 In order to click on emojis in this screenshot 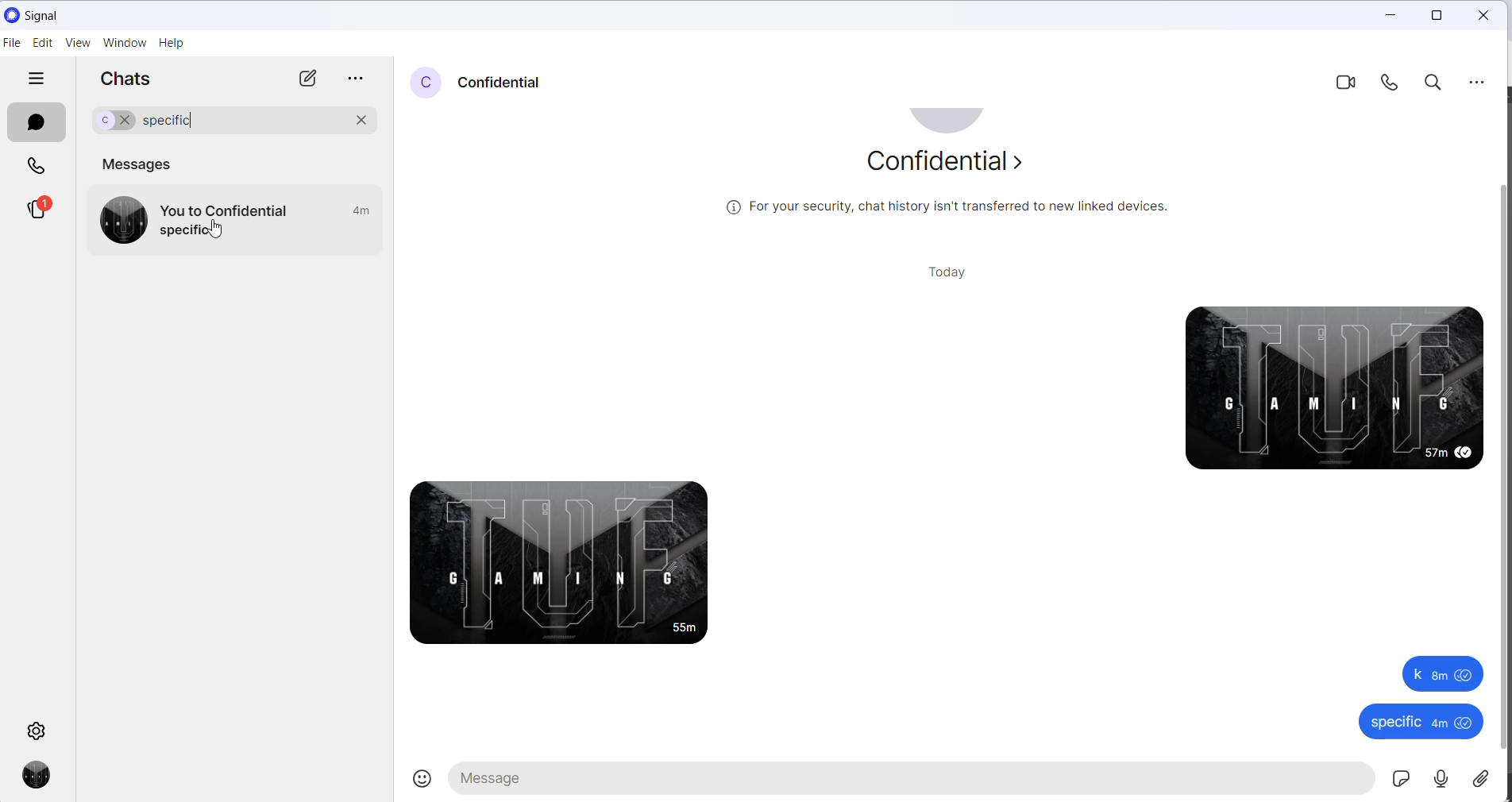, I will do `click(424, 781)`.